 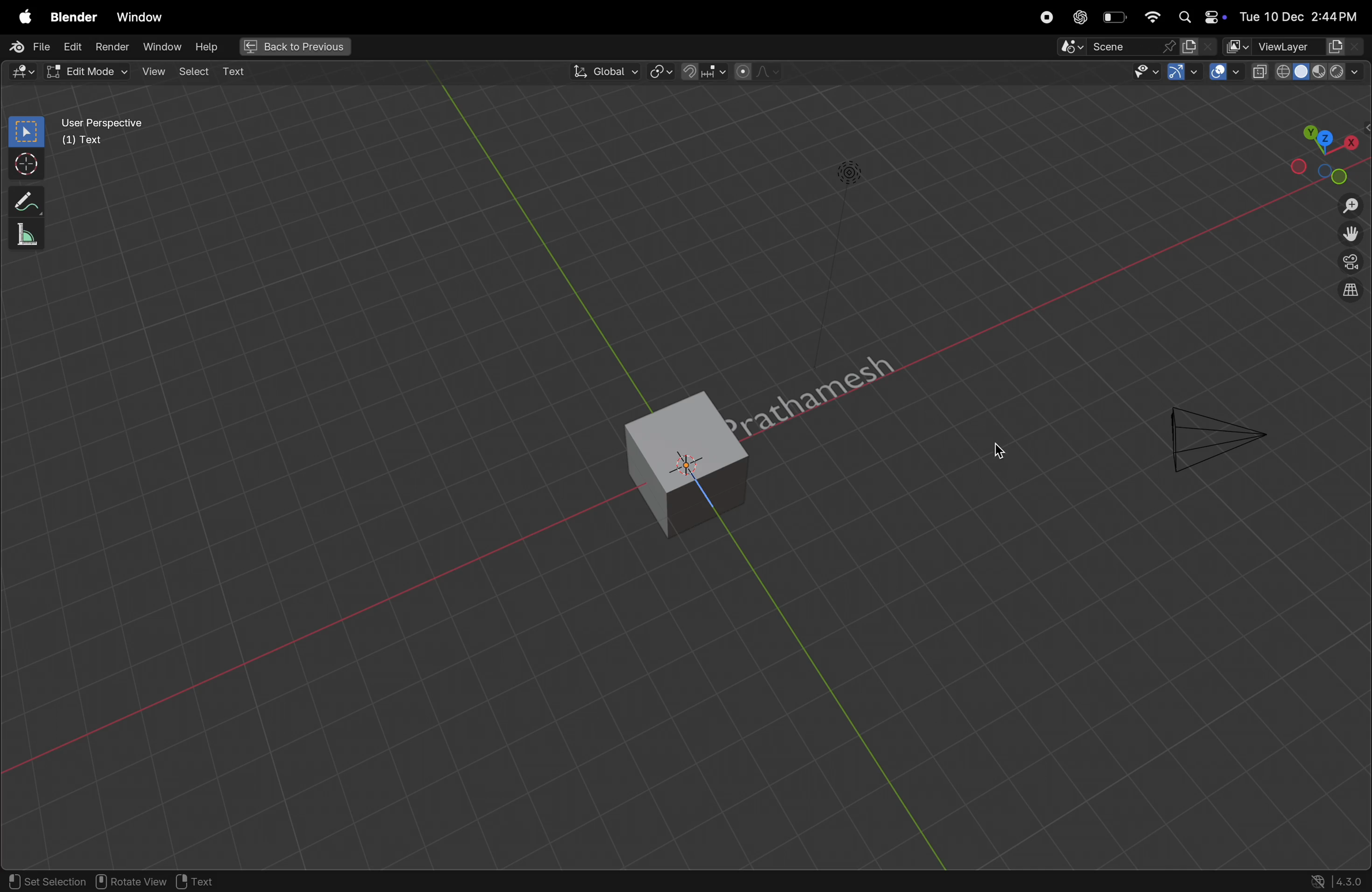 I want to click on select, so click(x=24, y=131).